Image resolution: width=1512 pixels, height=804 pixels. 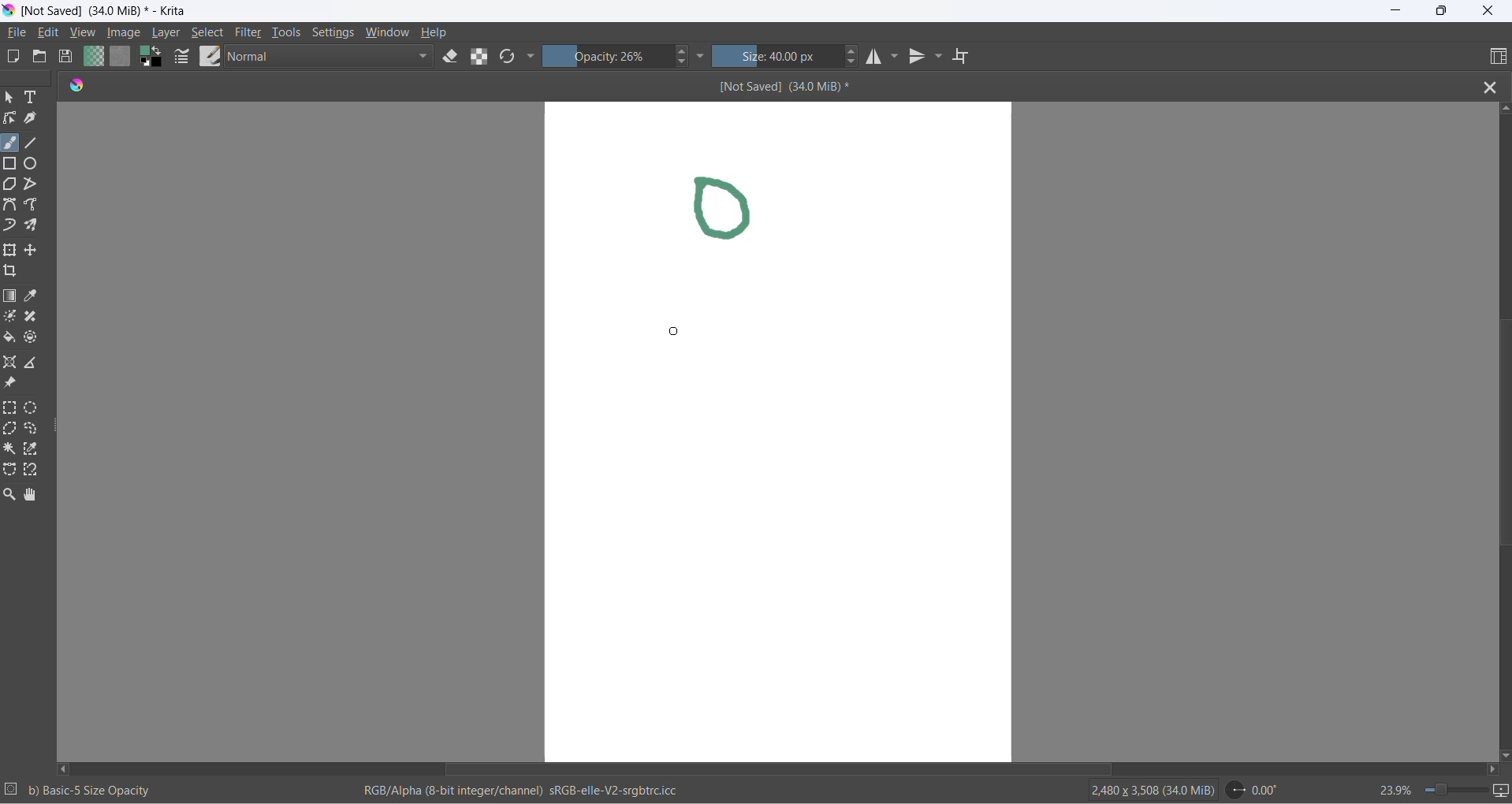 What do you see at coordinates (9, 12) in the screenshot?
I see `app icon` at bounding box center [9, 12].